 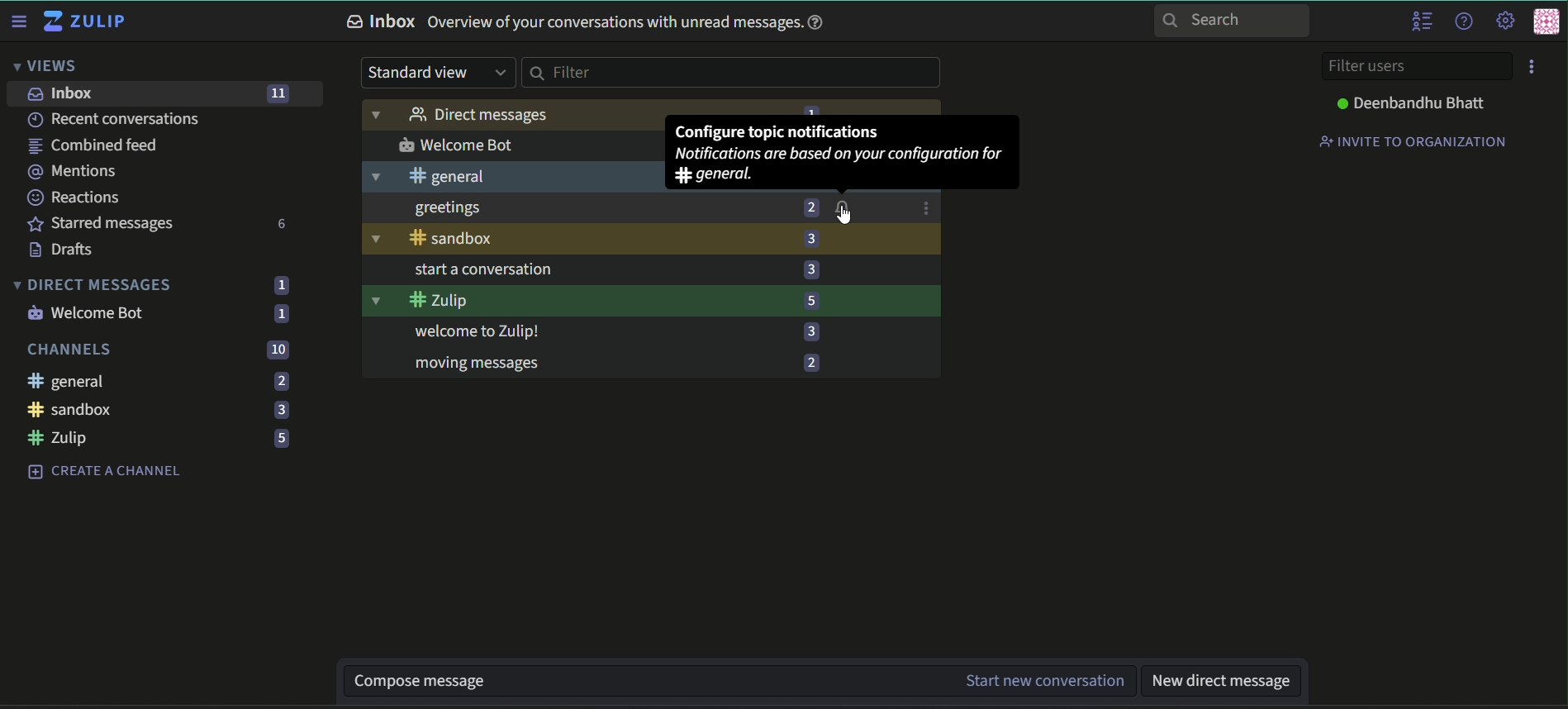 I want to click on welcomeBot, so click(x=520, y=145).